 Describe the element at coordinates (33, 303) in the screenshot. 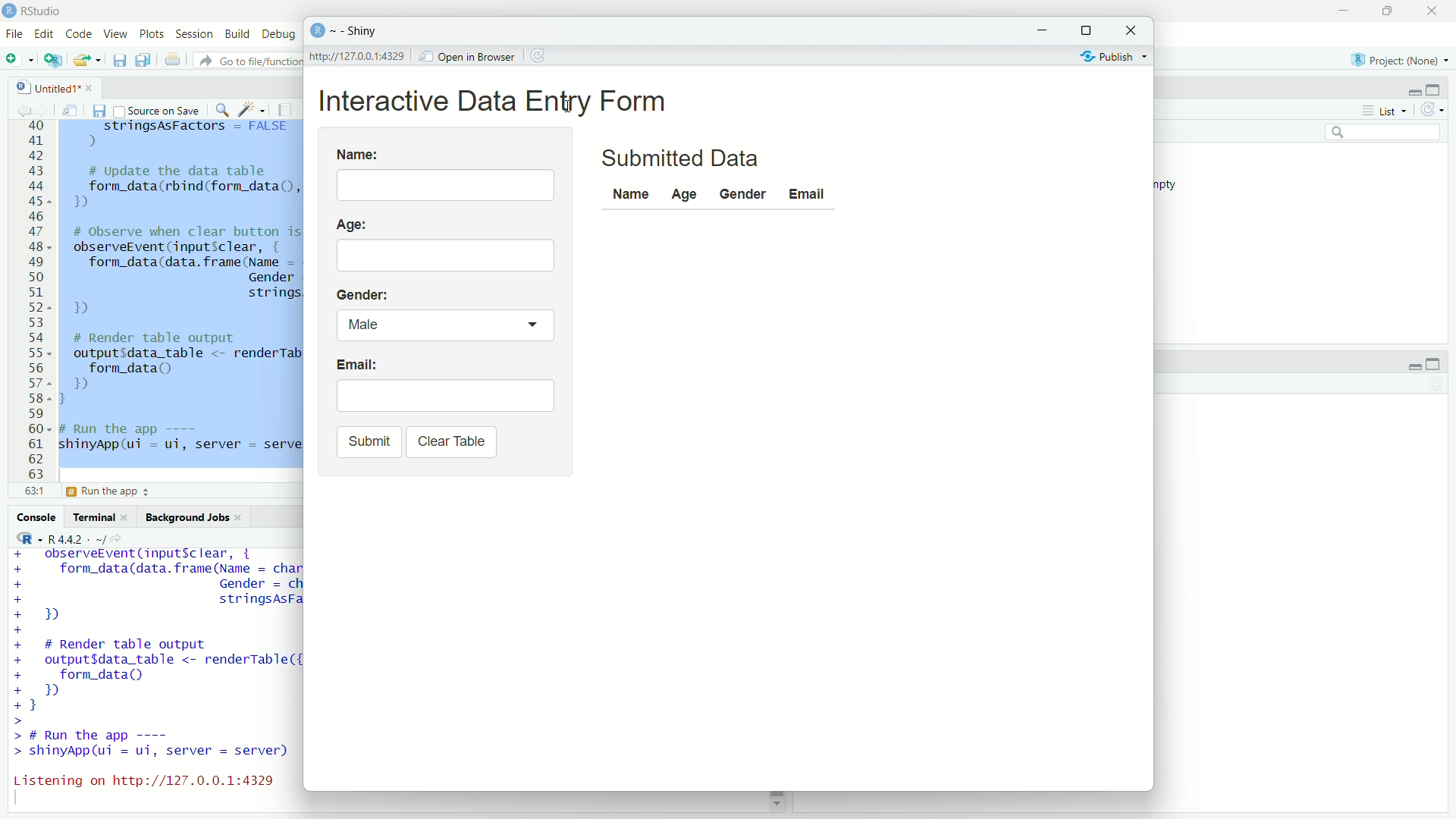

I see `serial numbers` at that location.